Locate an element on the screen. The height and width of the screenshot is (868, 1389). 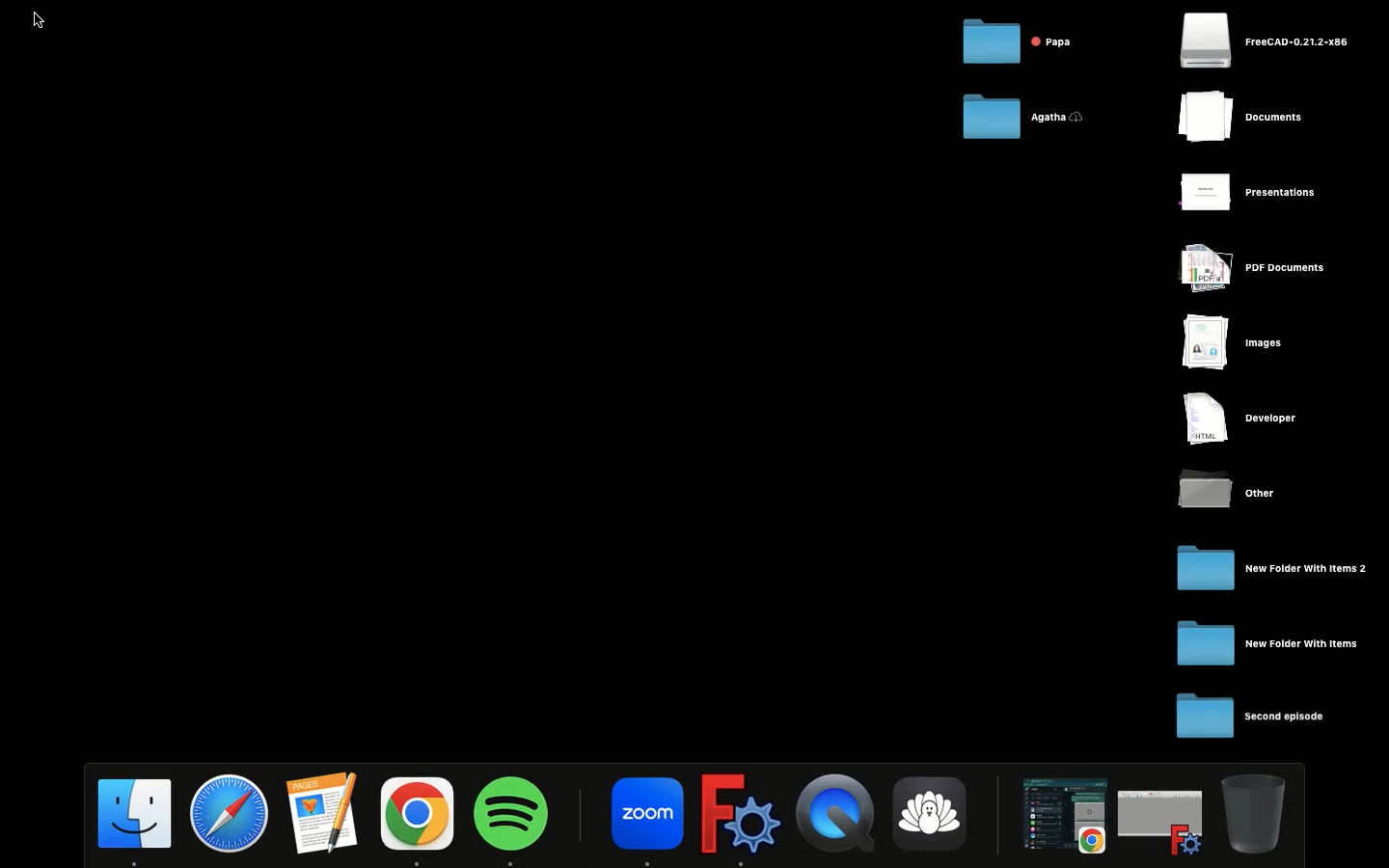
Pages is located at coordinates (329, 812).